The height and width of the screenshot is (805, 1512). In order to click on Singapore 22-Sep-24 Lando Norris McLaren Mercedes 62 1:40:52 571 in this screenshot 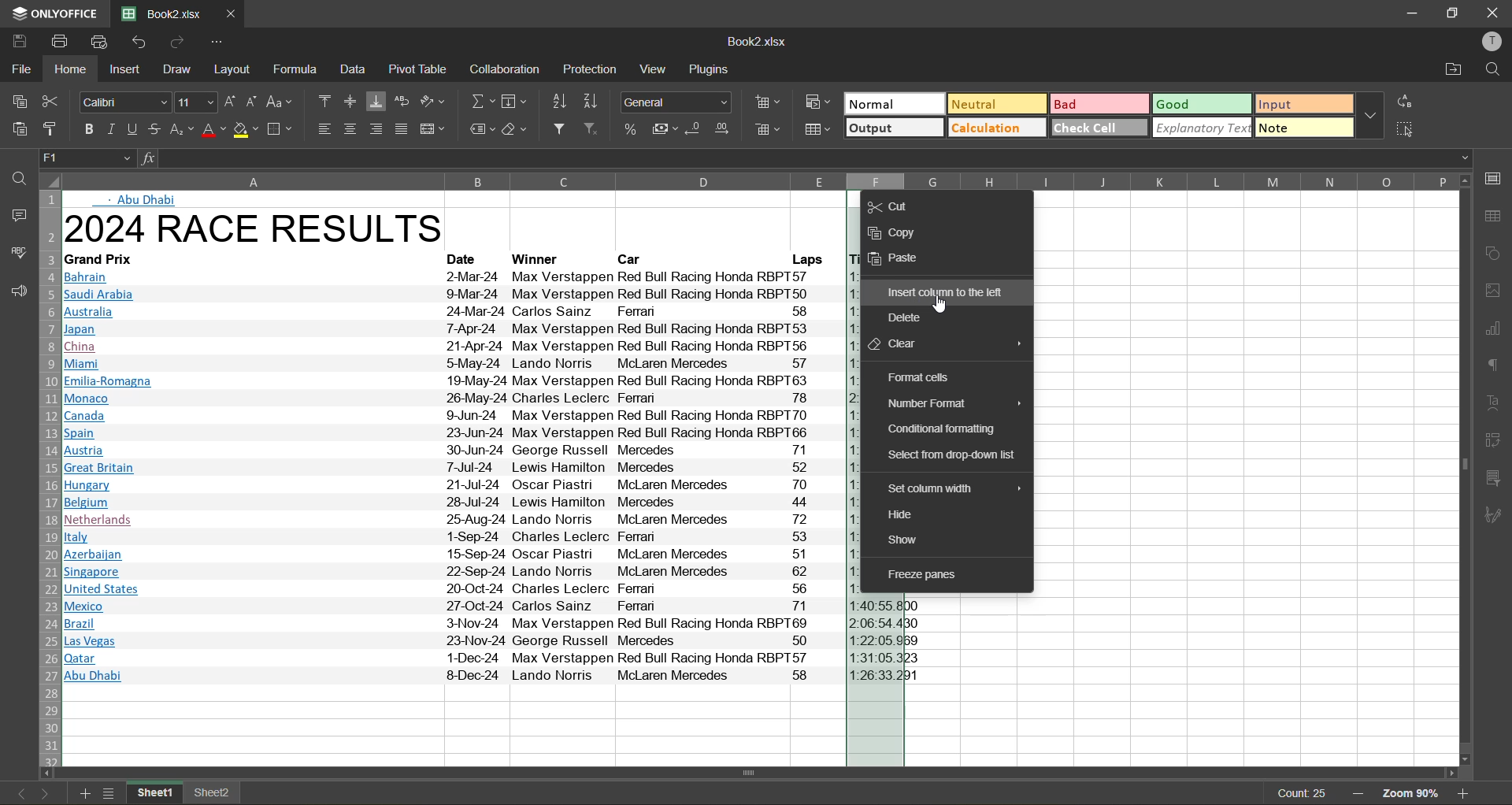, I will do `click(443, 571)`.